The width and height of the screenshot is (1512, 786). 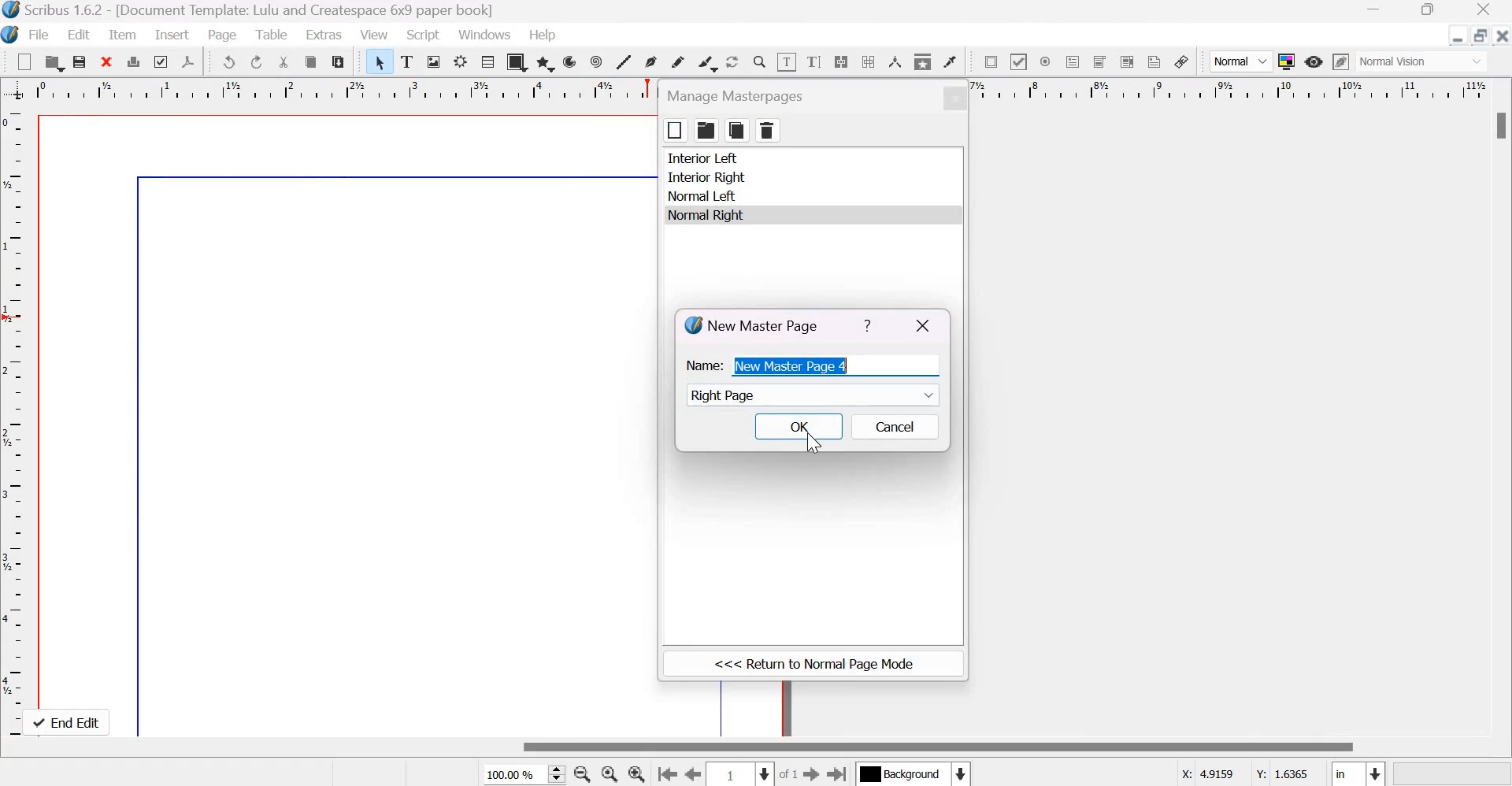 What do you see at coordinates (707, 215) in the screenshot?
I see `normal right` at bounding box center [707, 215].